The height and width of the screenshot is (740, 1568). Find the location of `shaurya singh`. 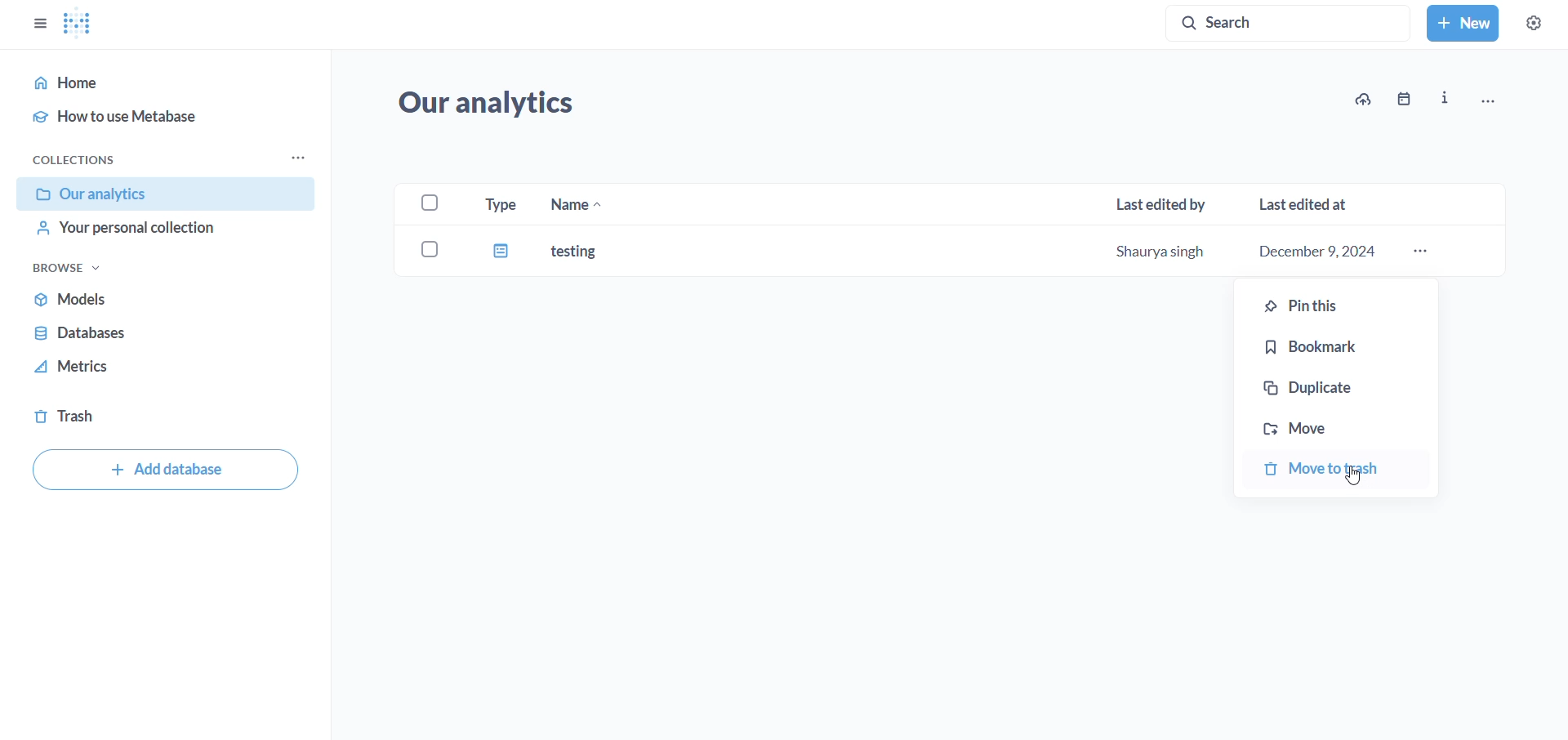

shaurya singh is located at coordinates (1154, 253).